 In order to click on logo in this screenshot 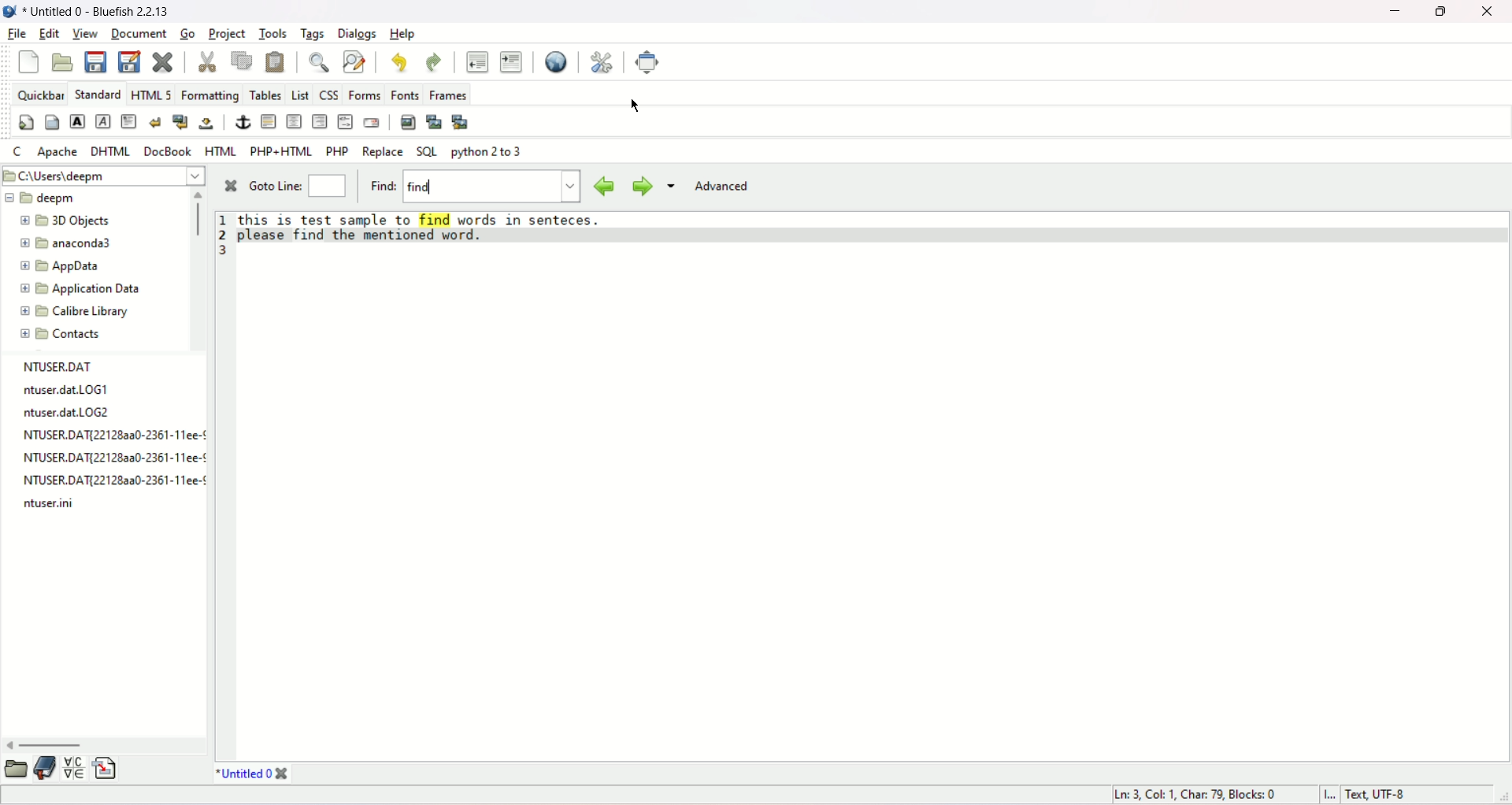, I will do `click(9, 11)`.